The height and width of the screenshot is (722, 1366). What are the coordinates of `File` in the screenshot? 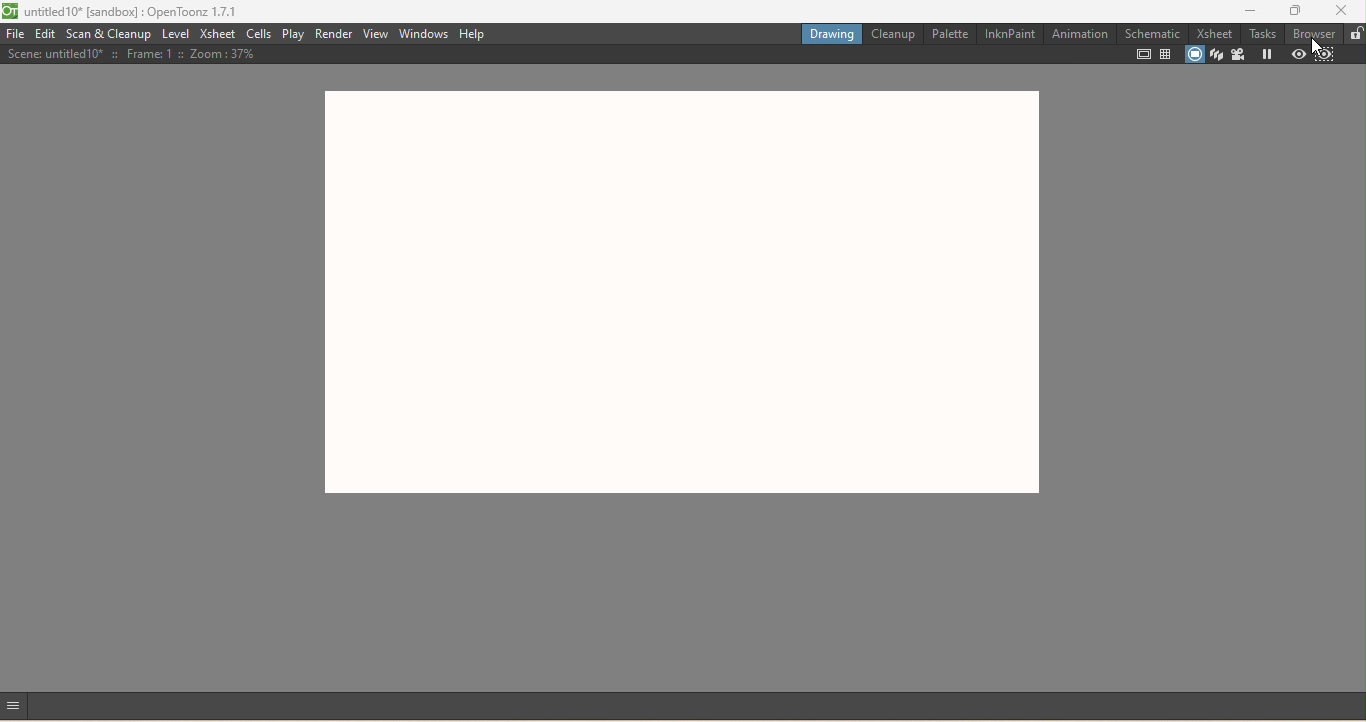 It's located at (16, 35).